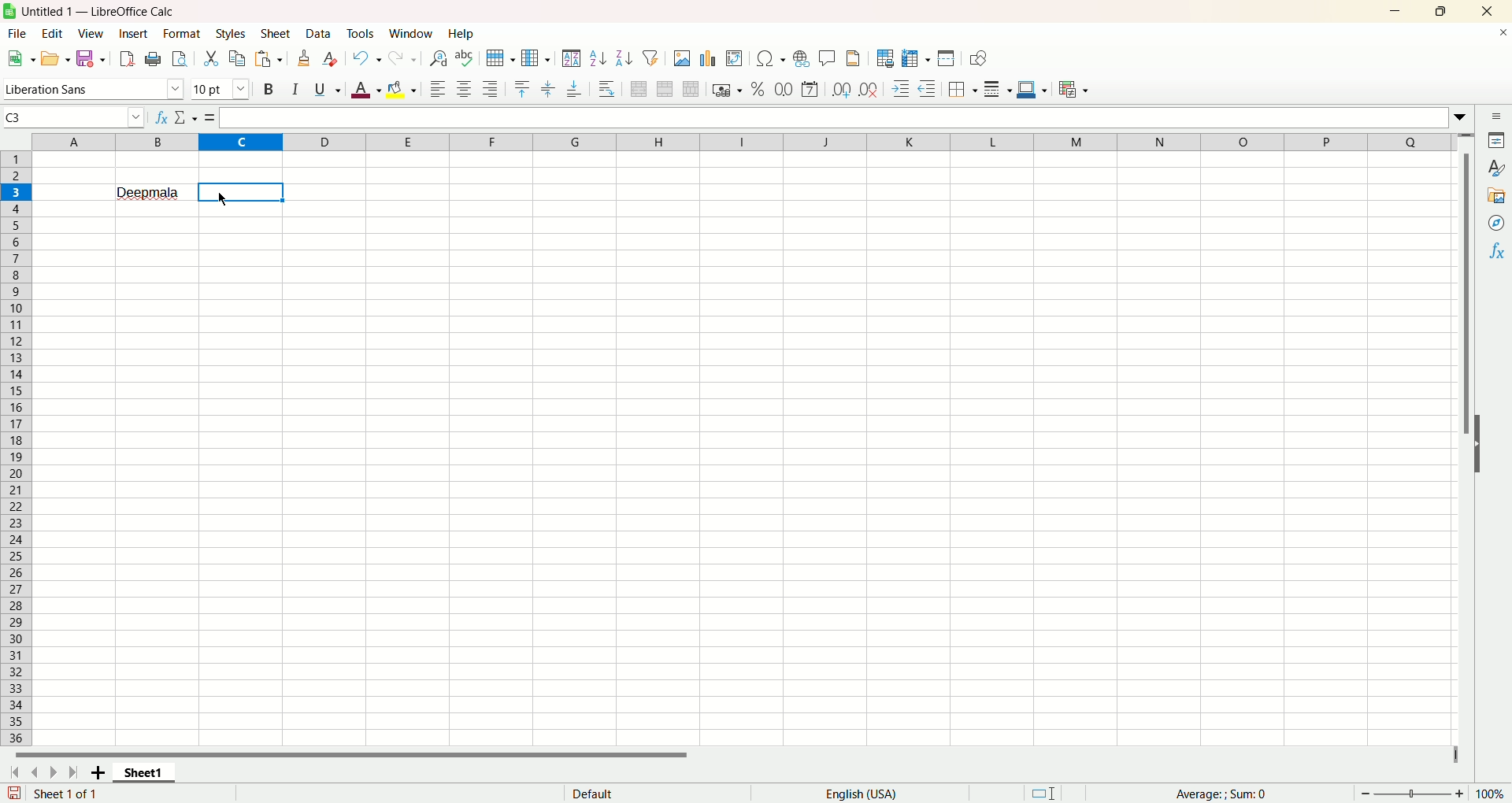  What do you see at coordinates (401, 90) in the screenshot?
I see `Background color` at bounding box center [401, 90].